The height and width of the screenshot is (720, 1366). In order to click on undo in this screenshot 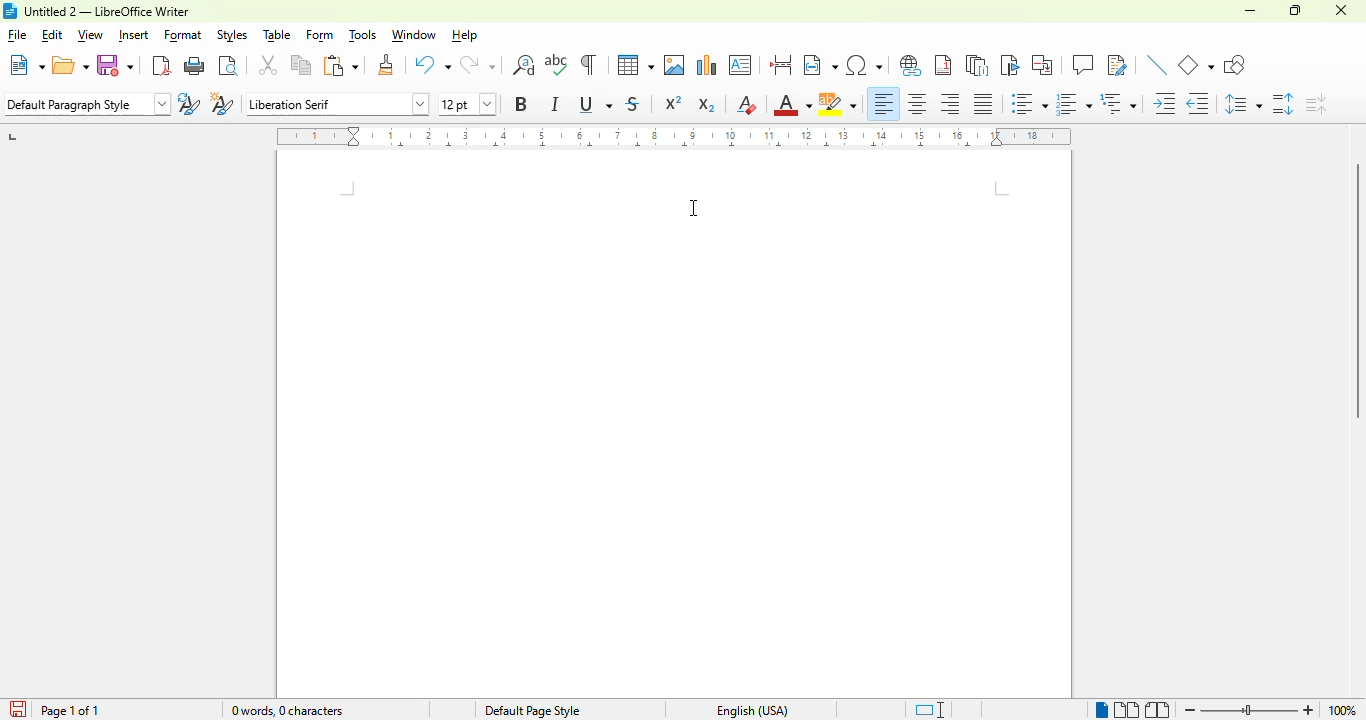, I will do `click(433, 66)`.